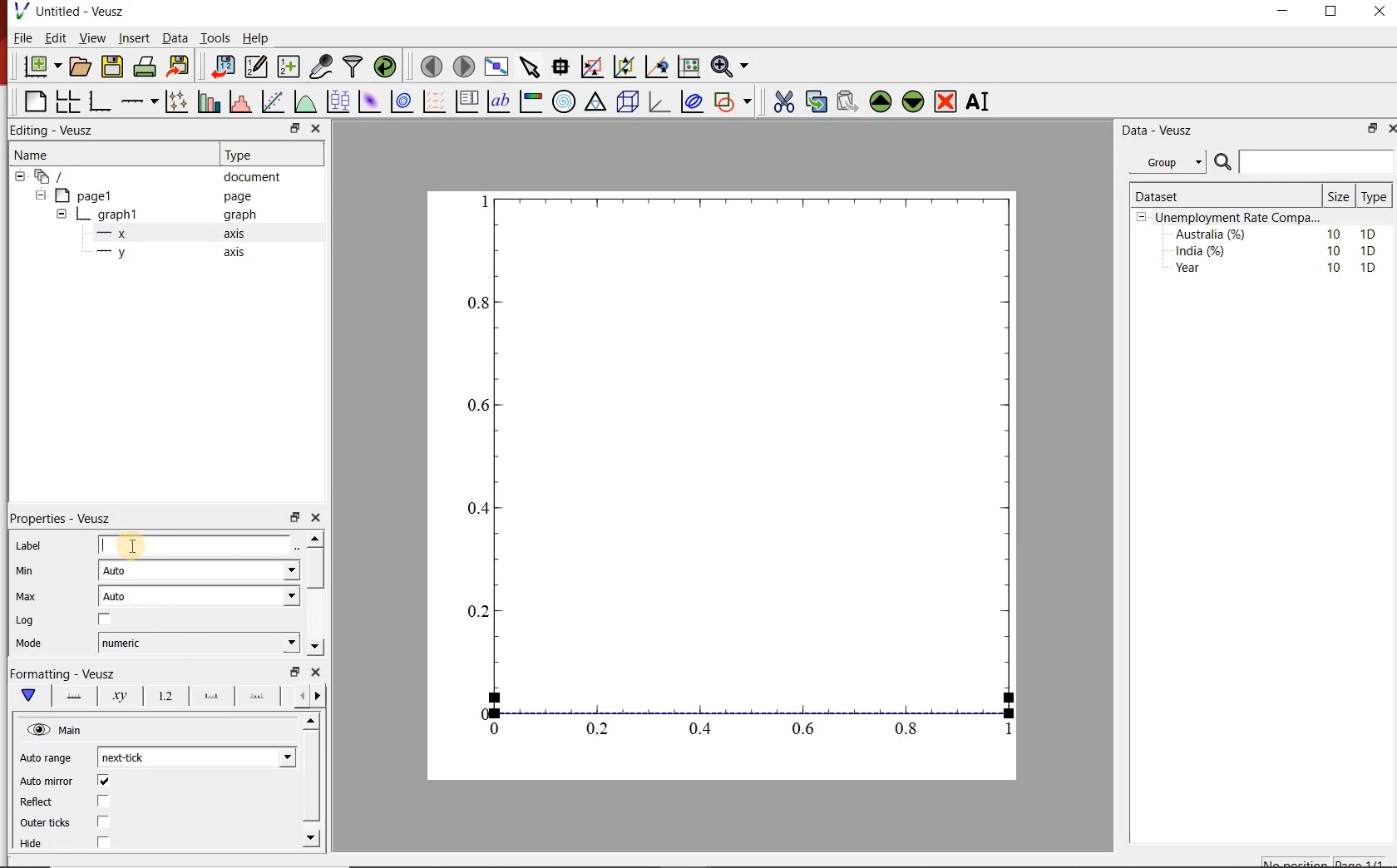 Image resolution: width=1397 pixels, height=868 pixels. I want to click on plot points with lines and errorbars, so click(176, 101).